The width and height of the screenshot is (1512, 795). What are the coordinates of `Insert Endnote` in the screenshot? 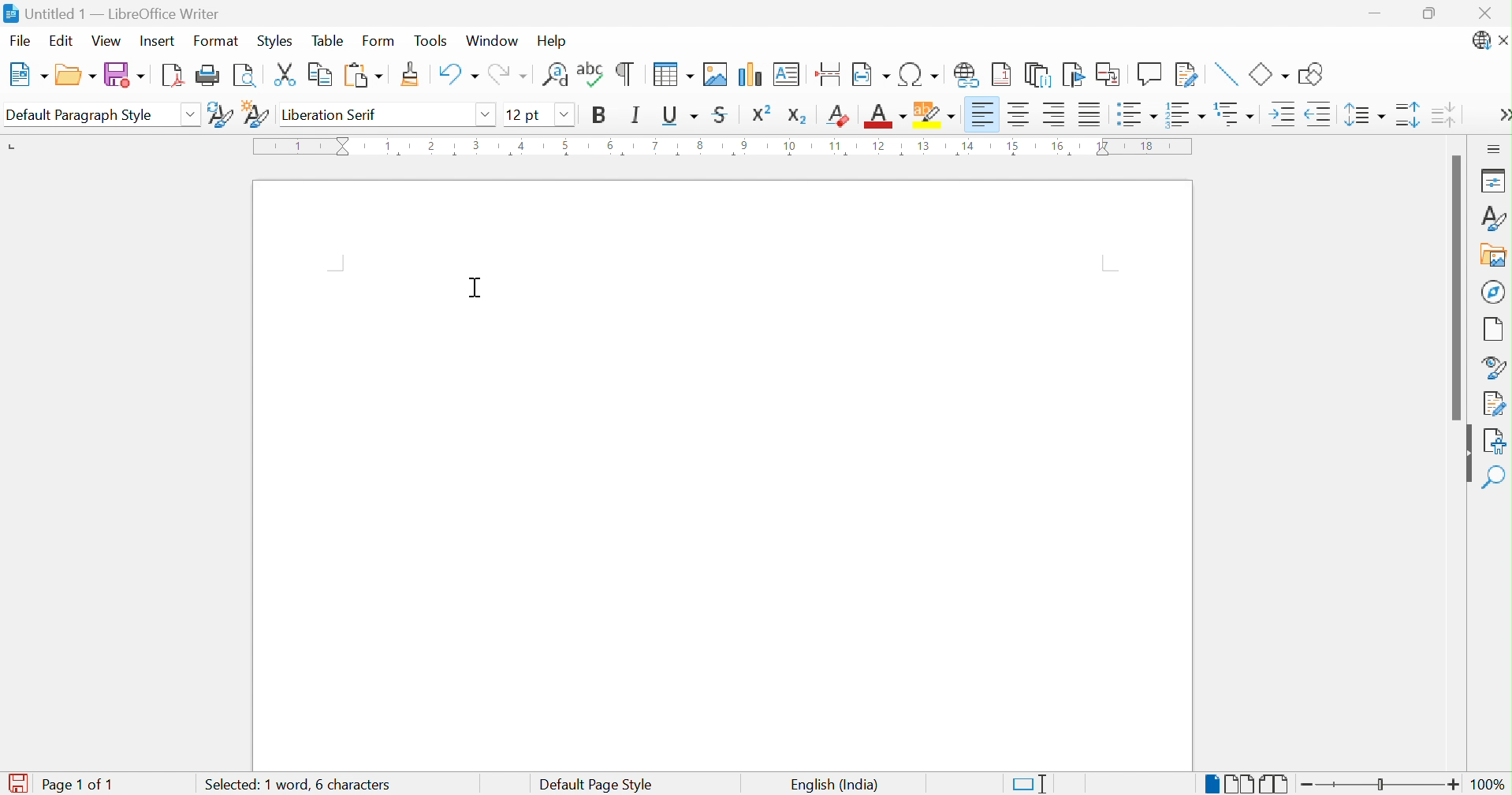 It's located at (1037, 74).